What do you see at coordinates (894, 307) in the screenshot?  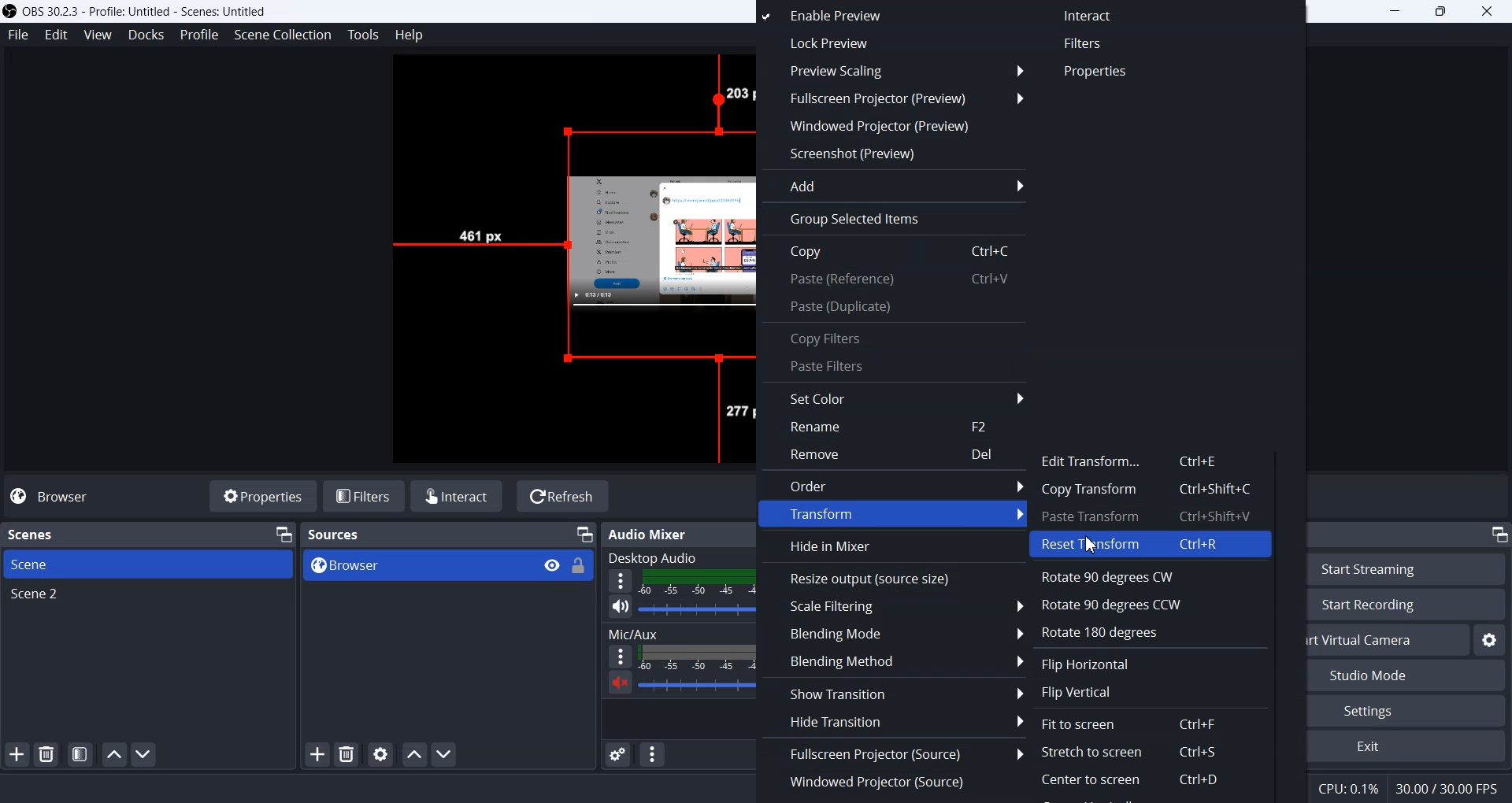 I see `Paste(Duplicate)` at bounding box center [894, 307].